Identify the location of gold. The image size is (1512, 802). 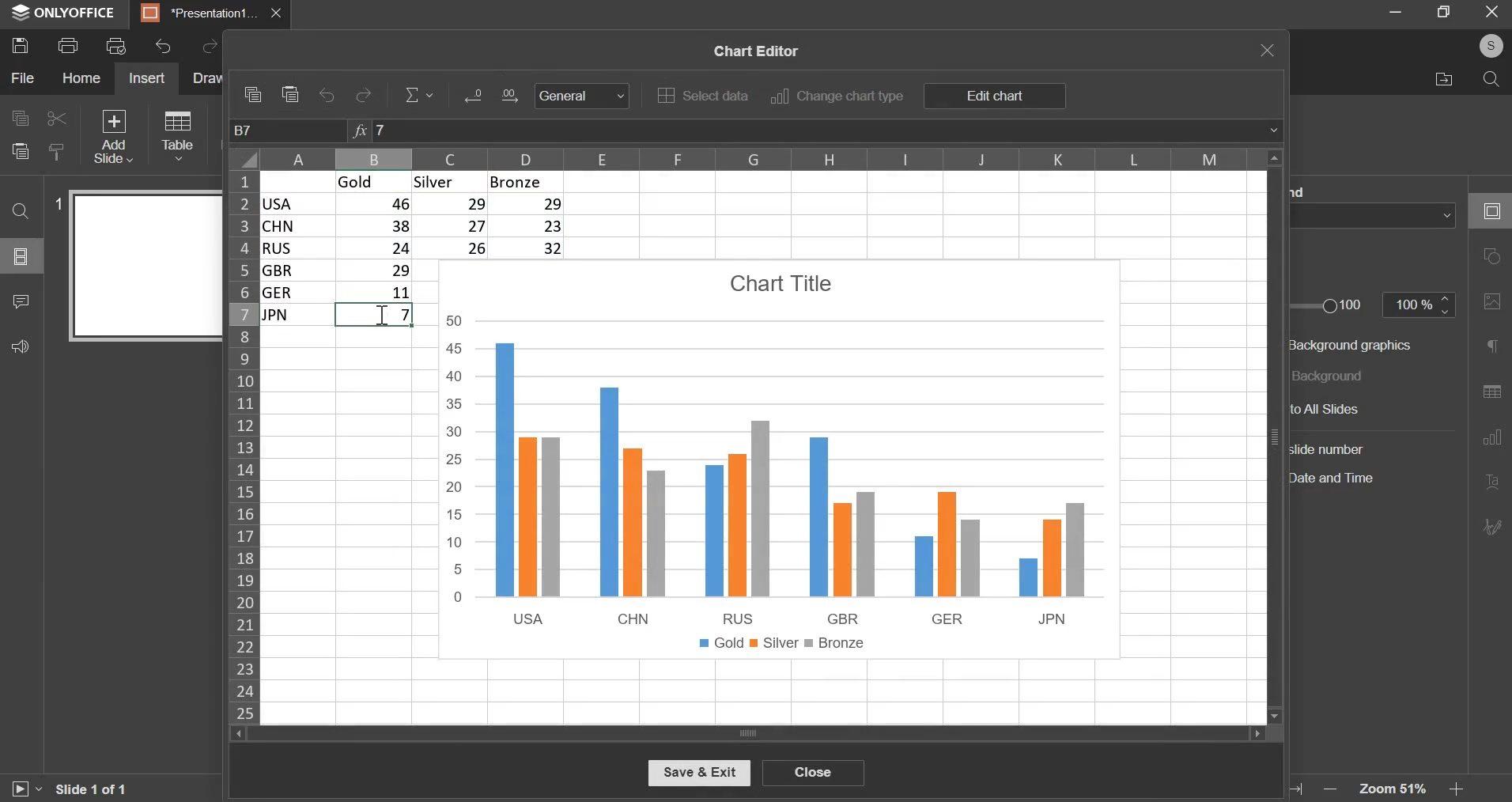
(365, 181).